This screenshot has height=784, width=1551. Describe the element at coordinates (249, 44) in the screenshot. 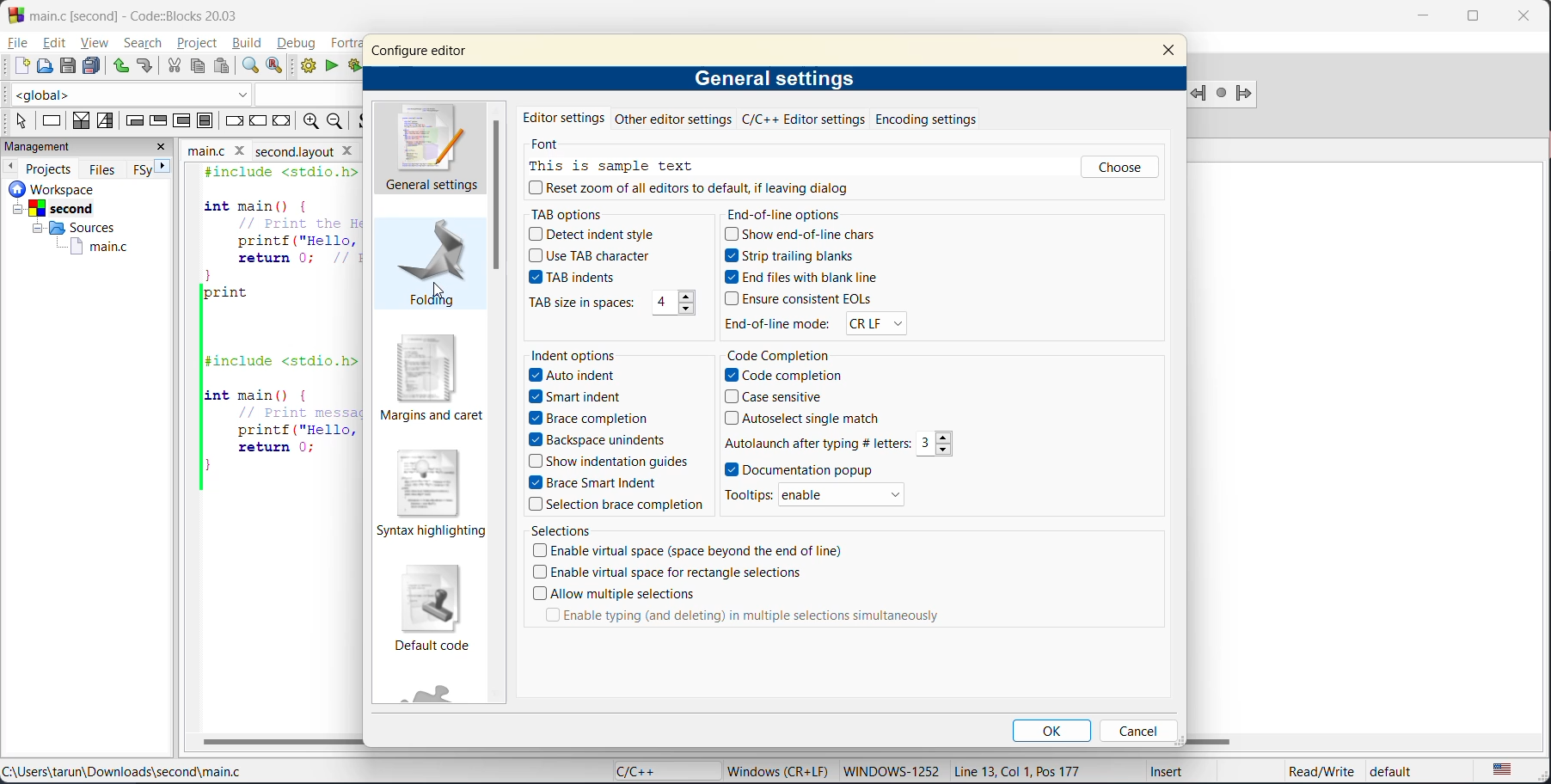

I see `build` at that location.